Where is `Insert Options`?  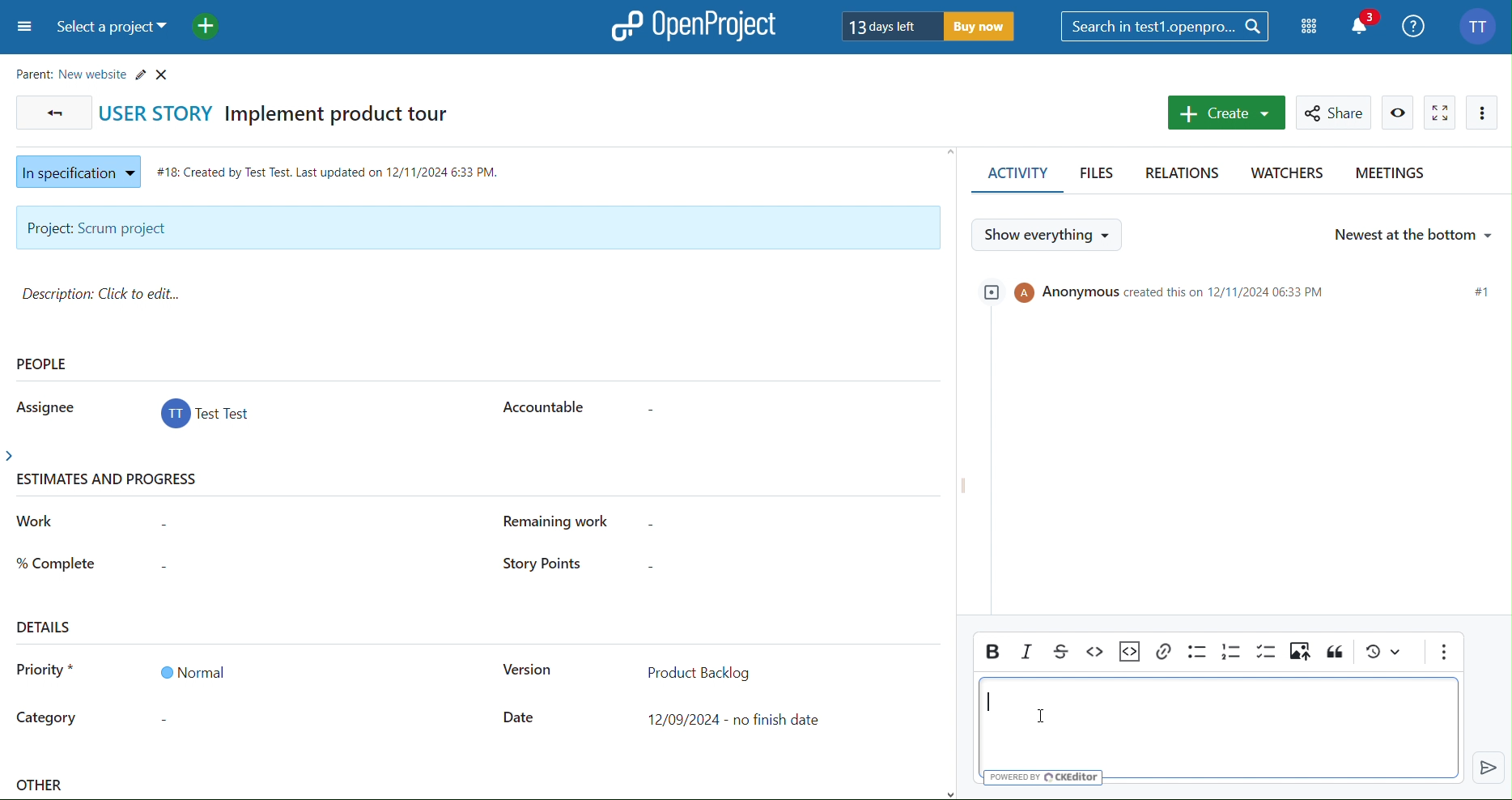
Insert Options is located at coordinates (1130, 652).